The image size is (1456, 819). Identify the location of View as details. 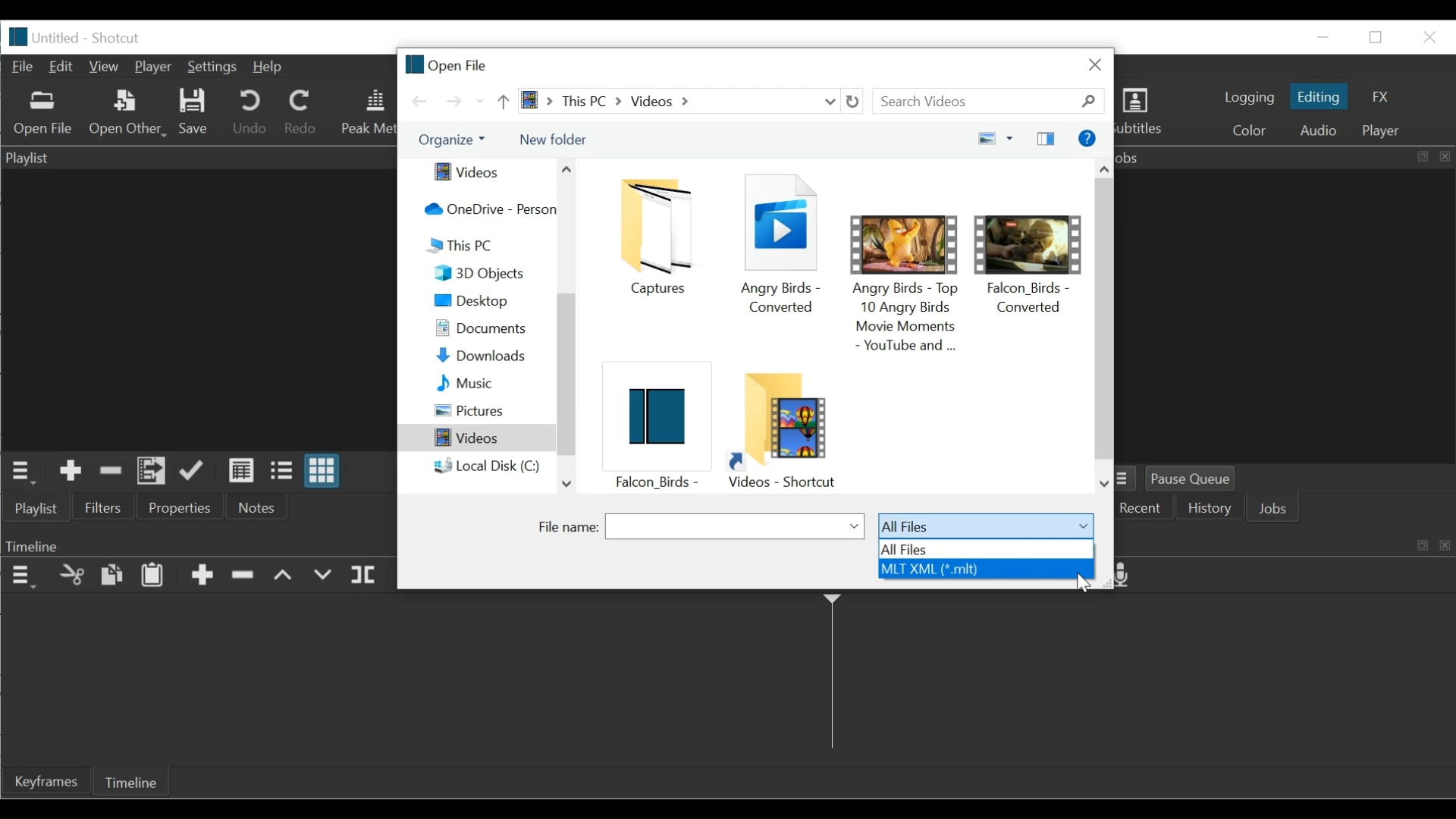
(243, 472).